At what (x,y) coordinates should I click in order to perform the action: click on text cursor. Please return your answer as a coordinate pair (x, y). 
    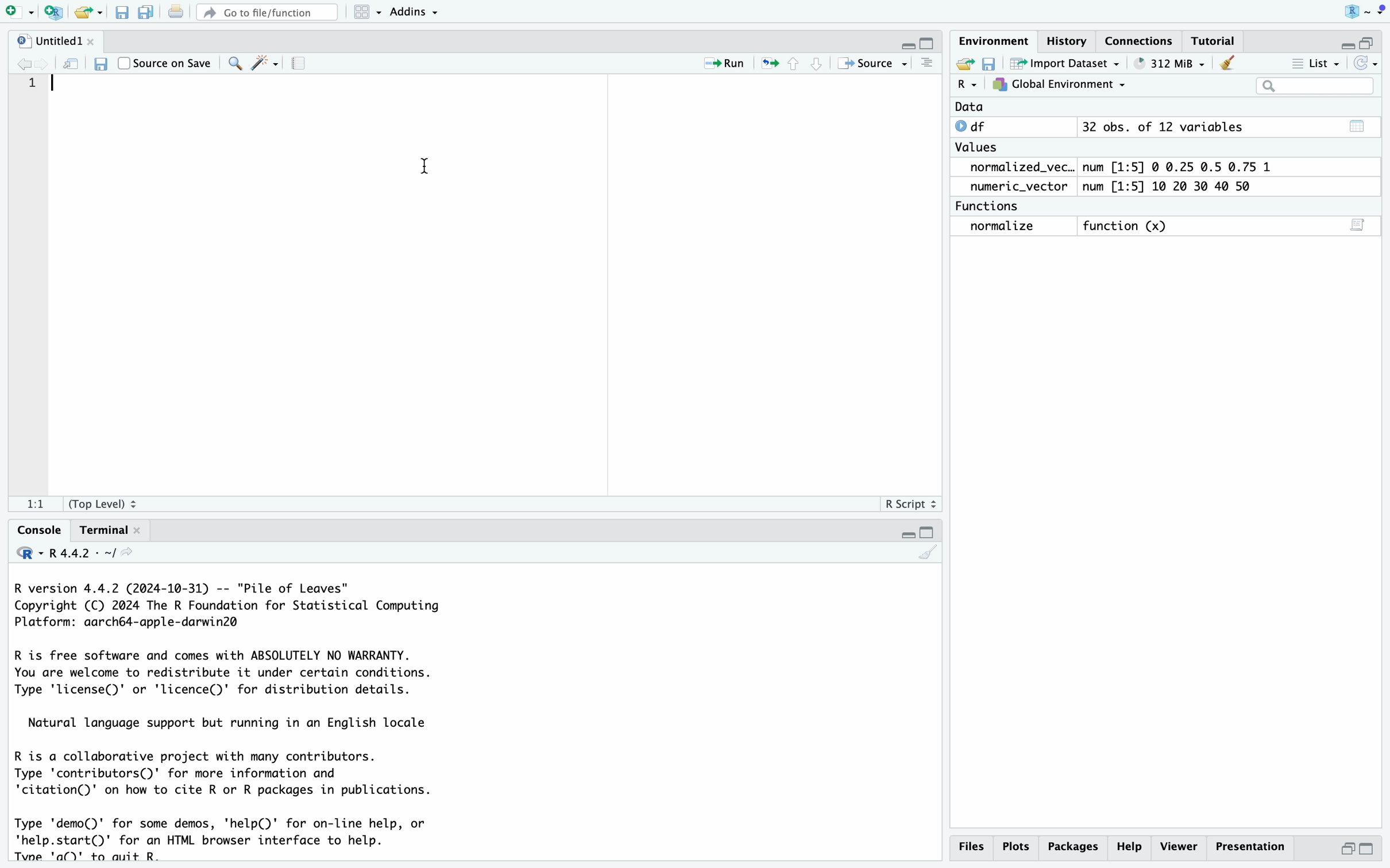
    Looking at the image, I should click on (426, 169).